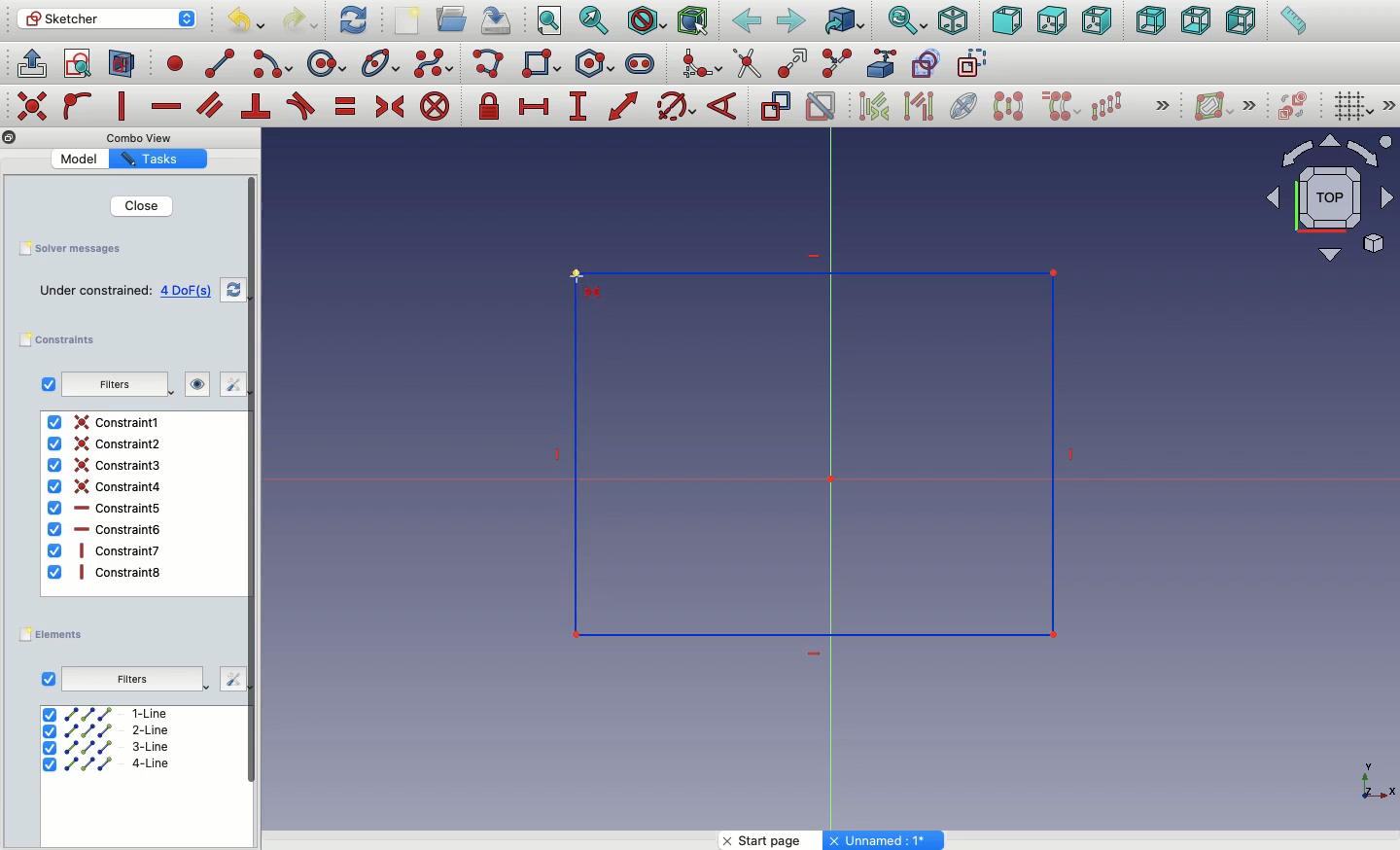 The width and height of the screenshot is (1400, 850). Describe the element at coordinates (492, 108) in the screenshot. I see `constrain lock` at that location.